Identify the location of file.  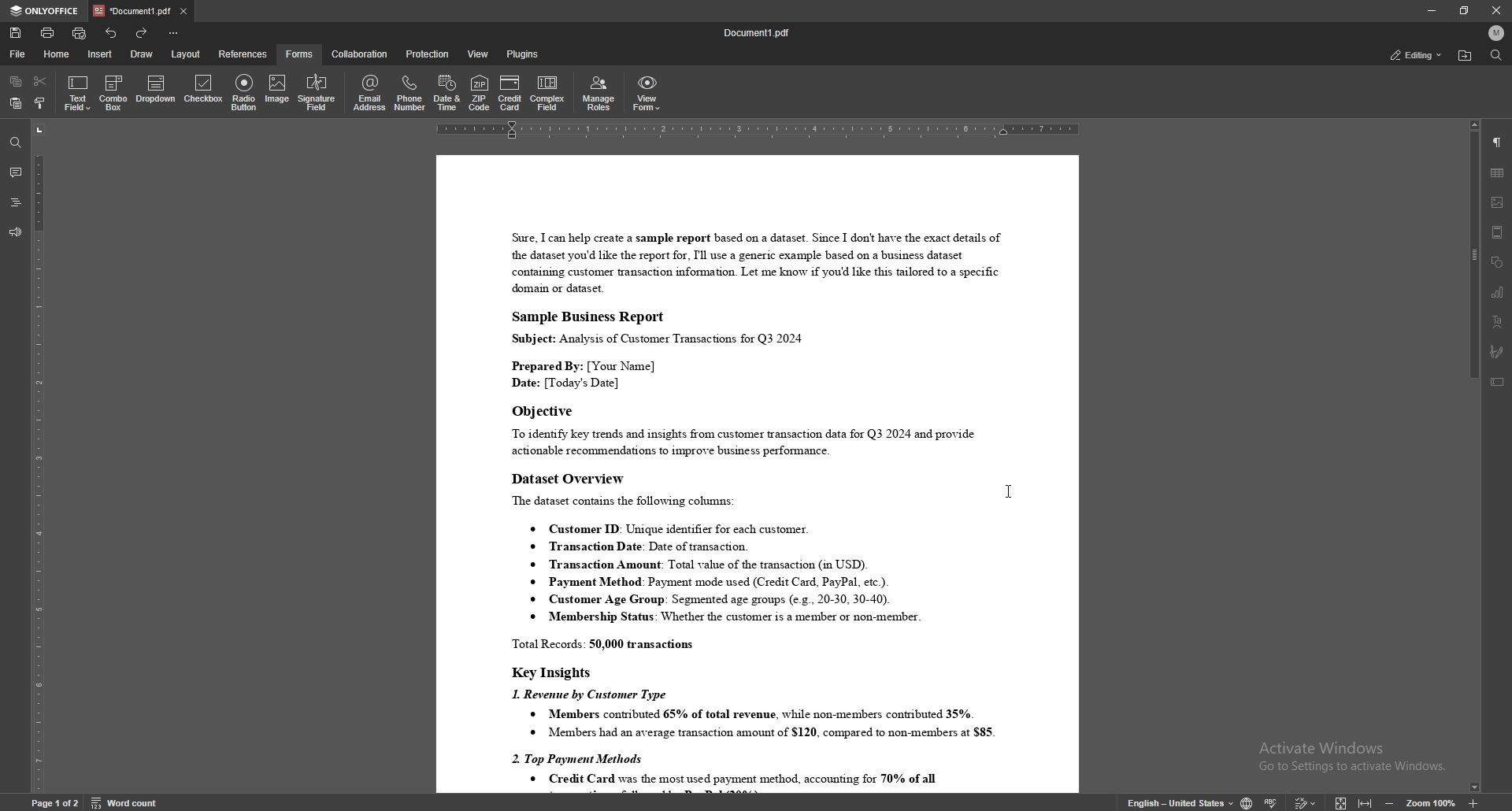
(18, 54).